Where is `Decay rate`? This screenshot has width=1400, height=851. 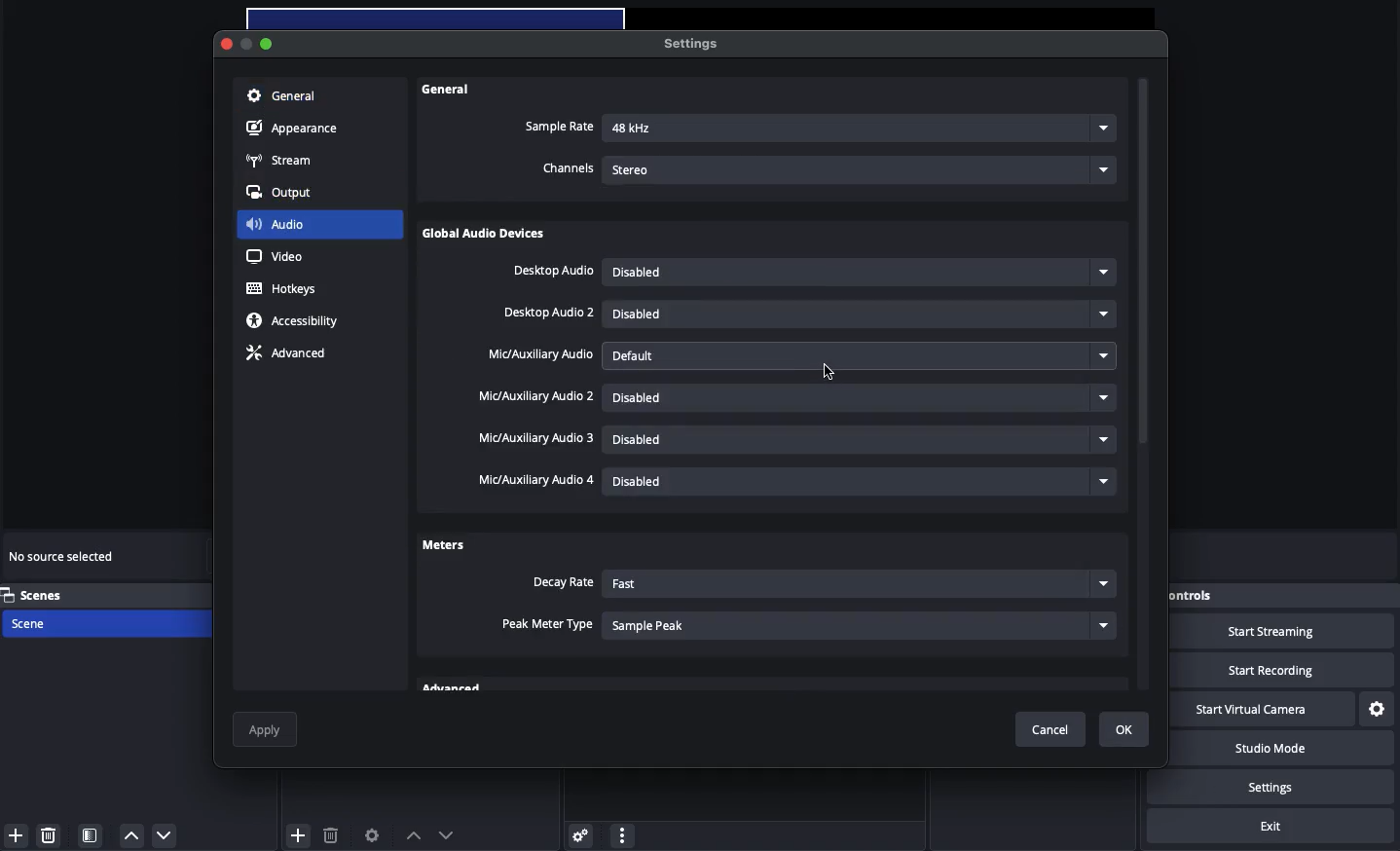
Decay rate is located at coordinates (562, 583).